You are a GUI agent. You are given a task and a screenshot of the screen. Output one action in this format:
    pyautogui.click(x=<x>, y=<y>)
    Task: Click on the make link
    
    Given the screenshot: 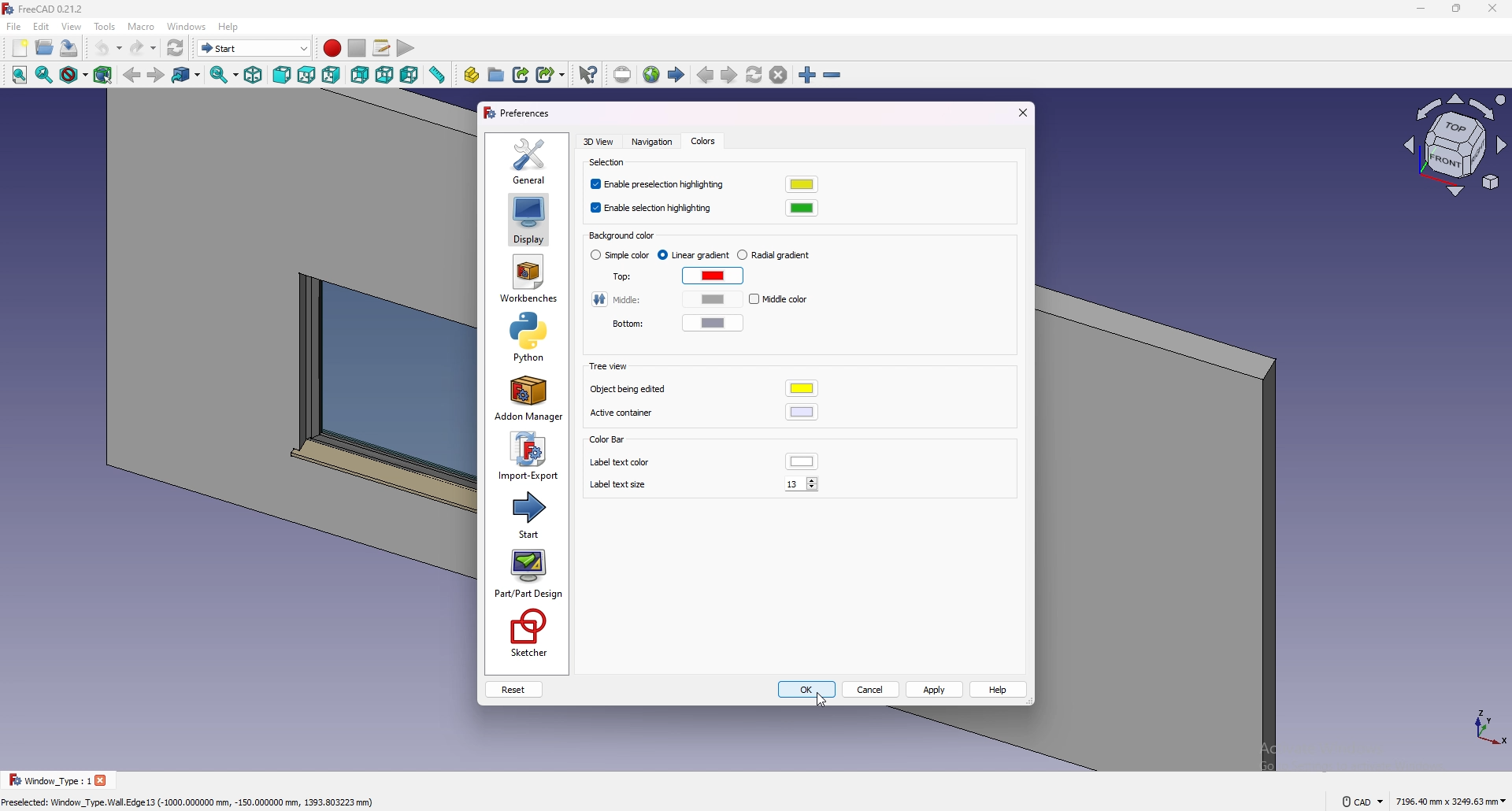 What is the action you would take?
    pyautogui.click(x=522, y=73)
    